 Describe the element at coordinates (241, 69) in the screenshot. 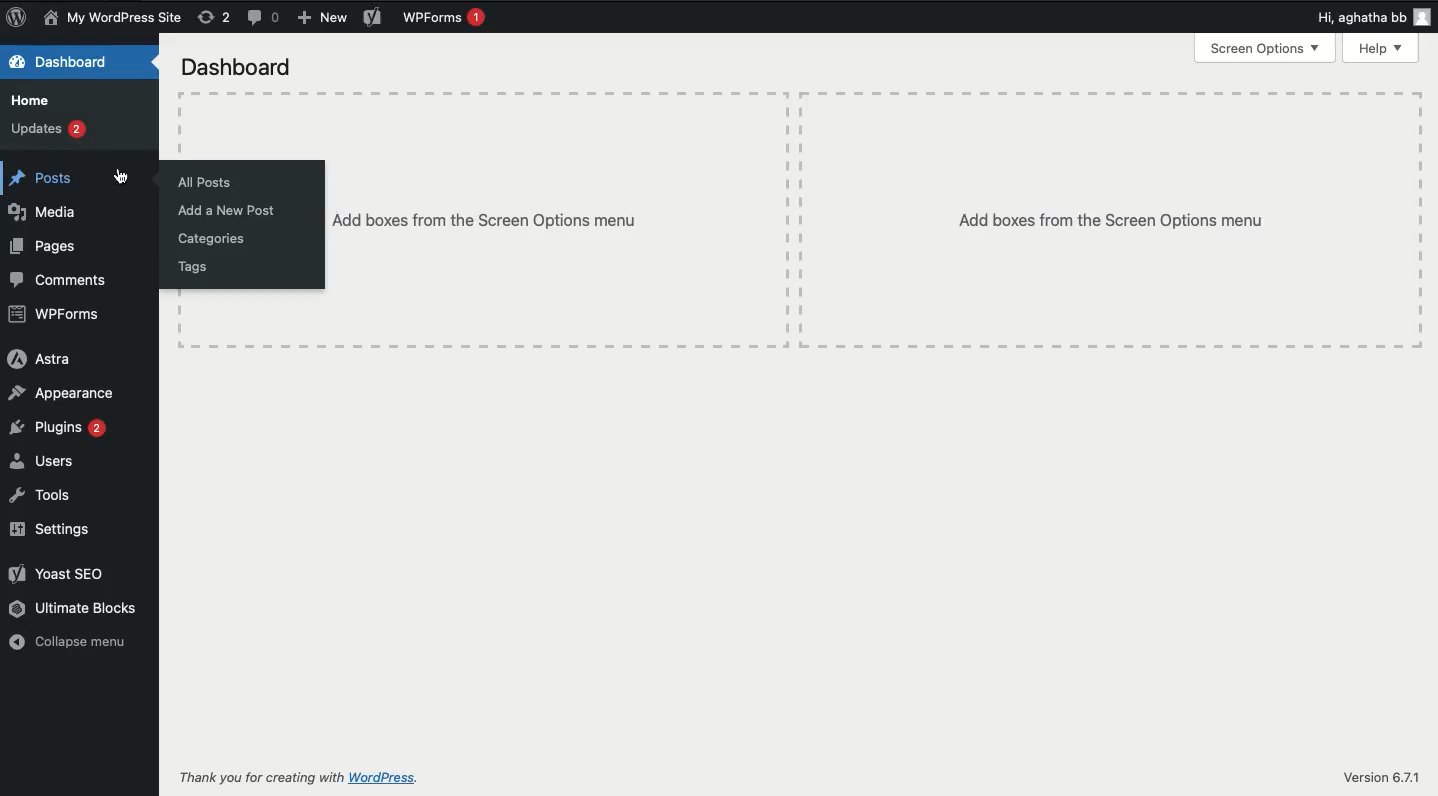

I see `Dashboard` at that location.